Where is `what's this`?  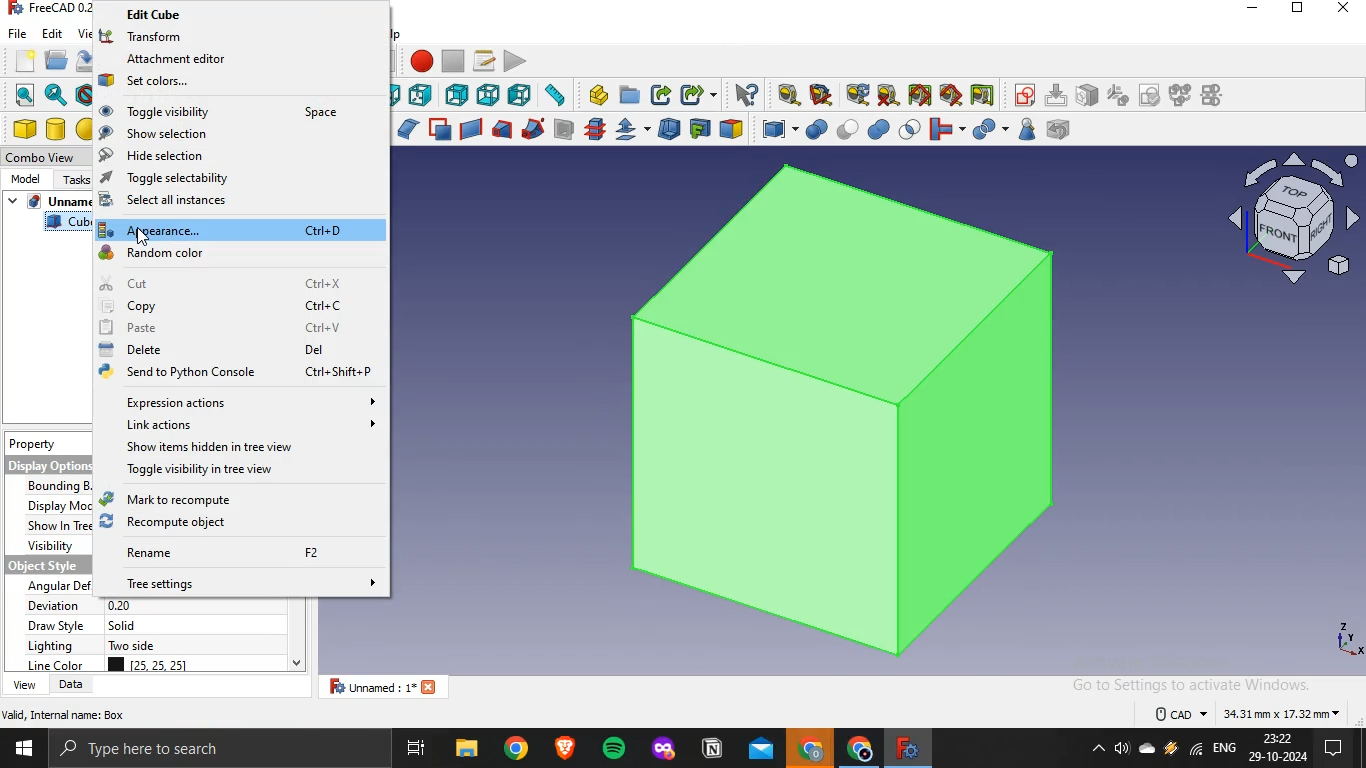 what's this is located at coordinates (746, 95).